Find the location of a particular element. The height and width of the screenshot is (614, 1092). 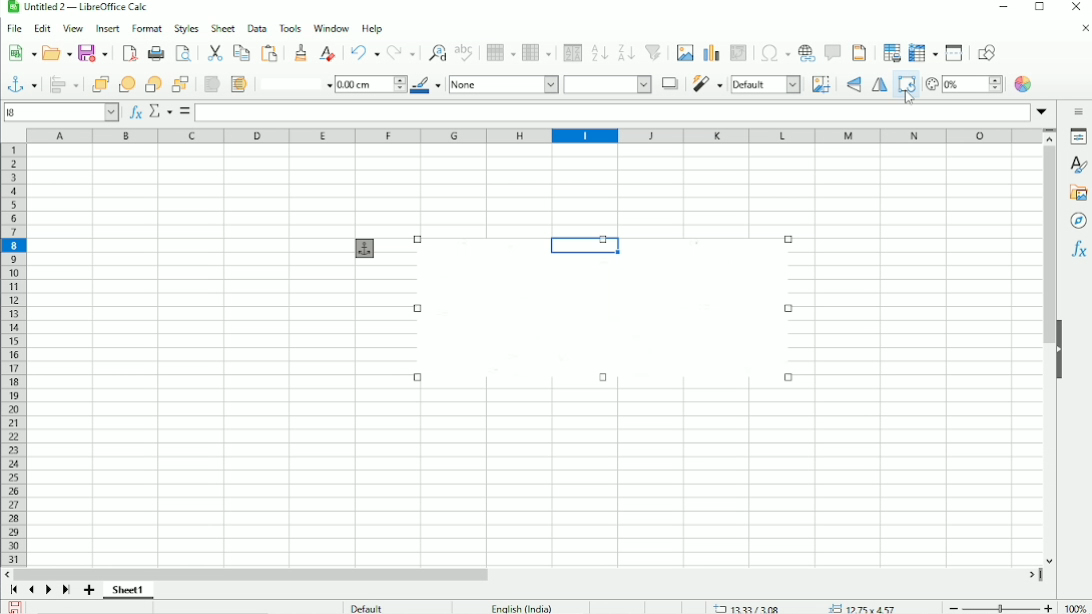

Export as PDF is located at coordinates (129, 53).